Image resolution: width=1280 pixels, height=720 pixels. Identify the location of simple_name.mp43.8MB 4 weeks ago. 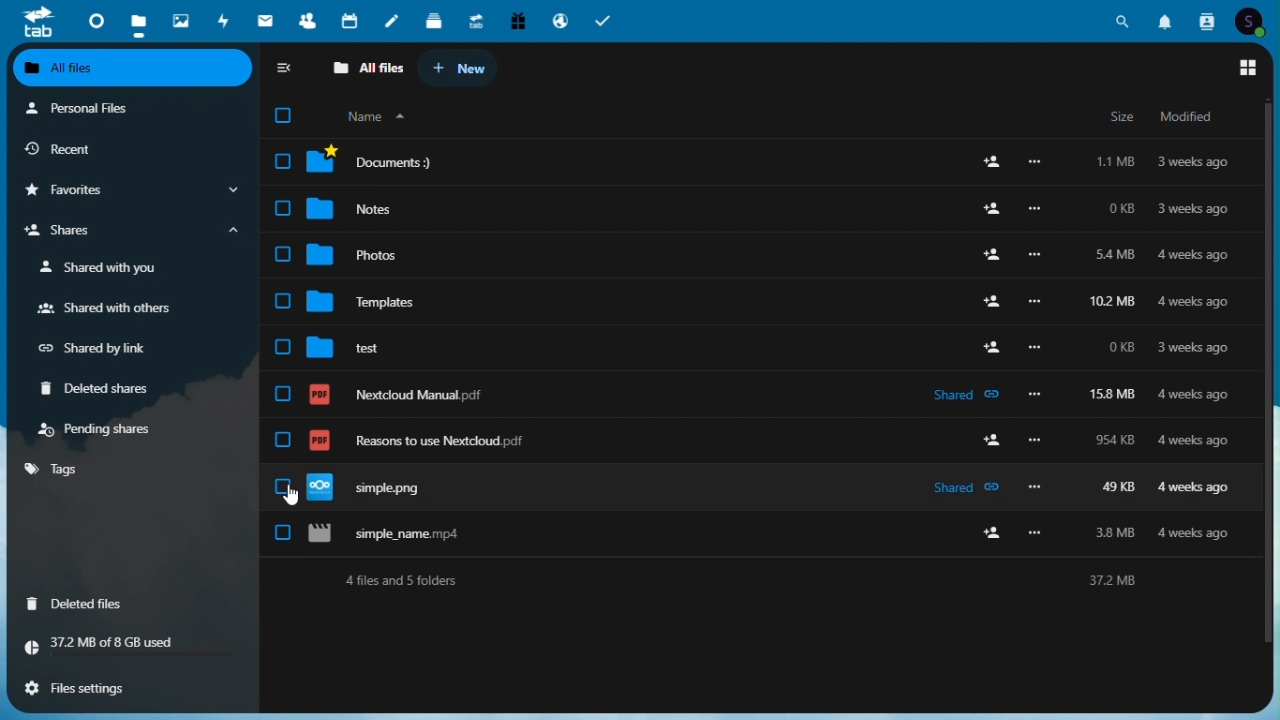
(762, 534).